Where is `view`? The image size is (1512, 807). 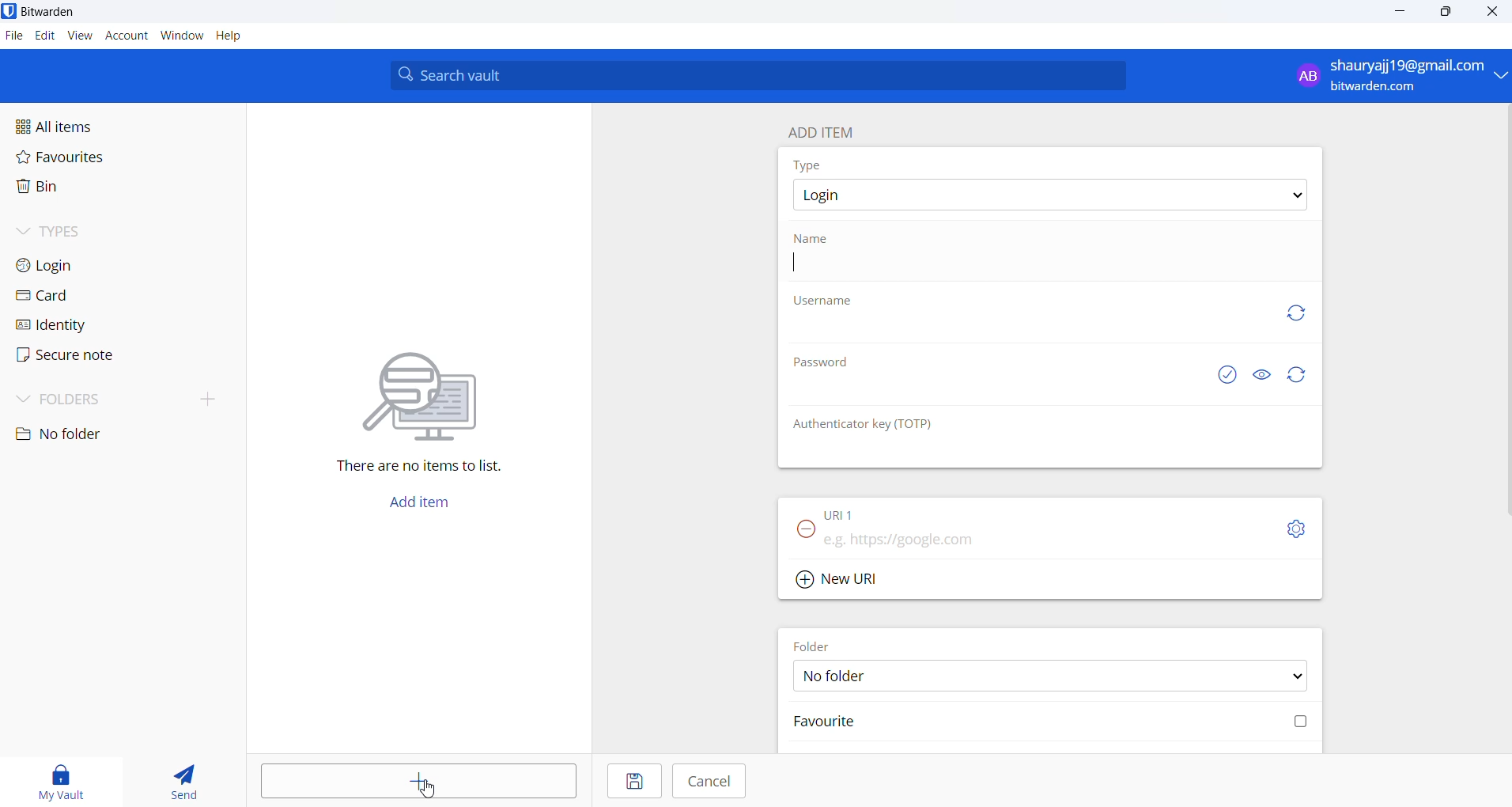 view is located at coordinates (80, 39).